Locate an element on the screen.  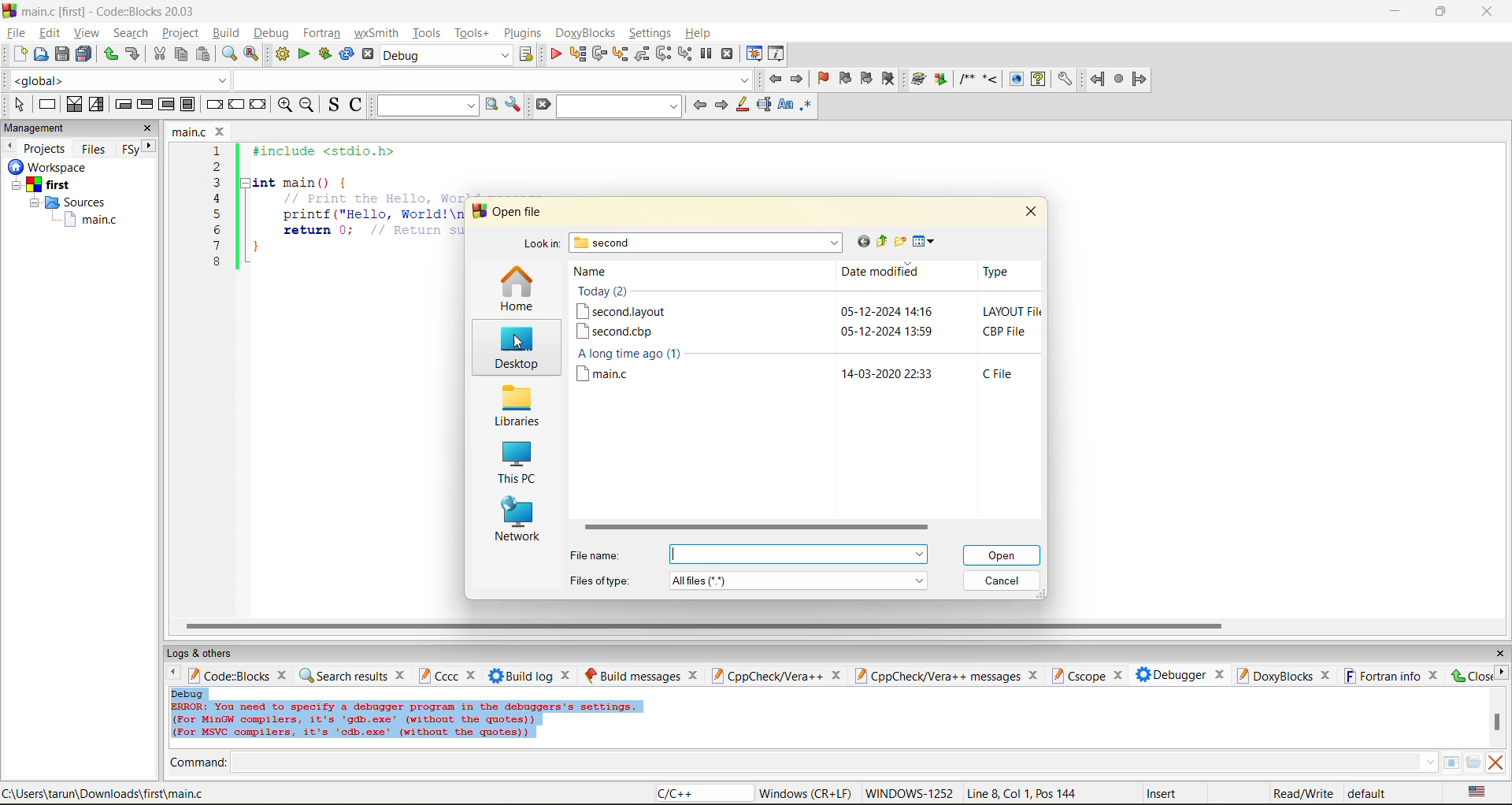
clear is located at coordinates (542, 105).